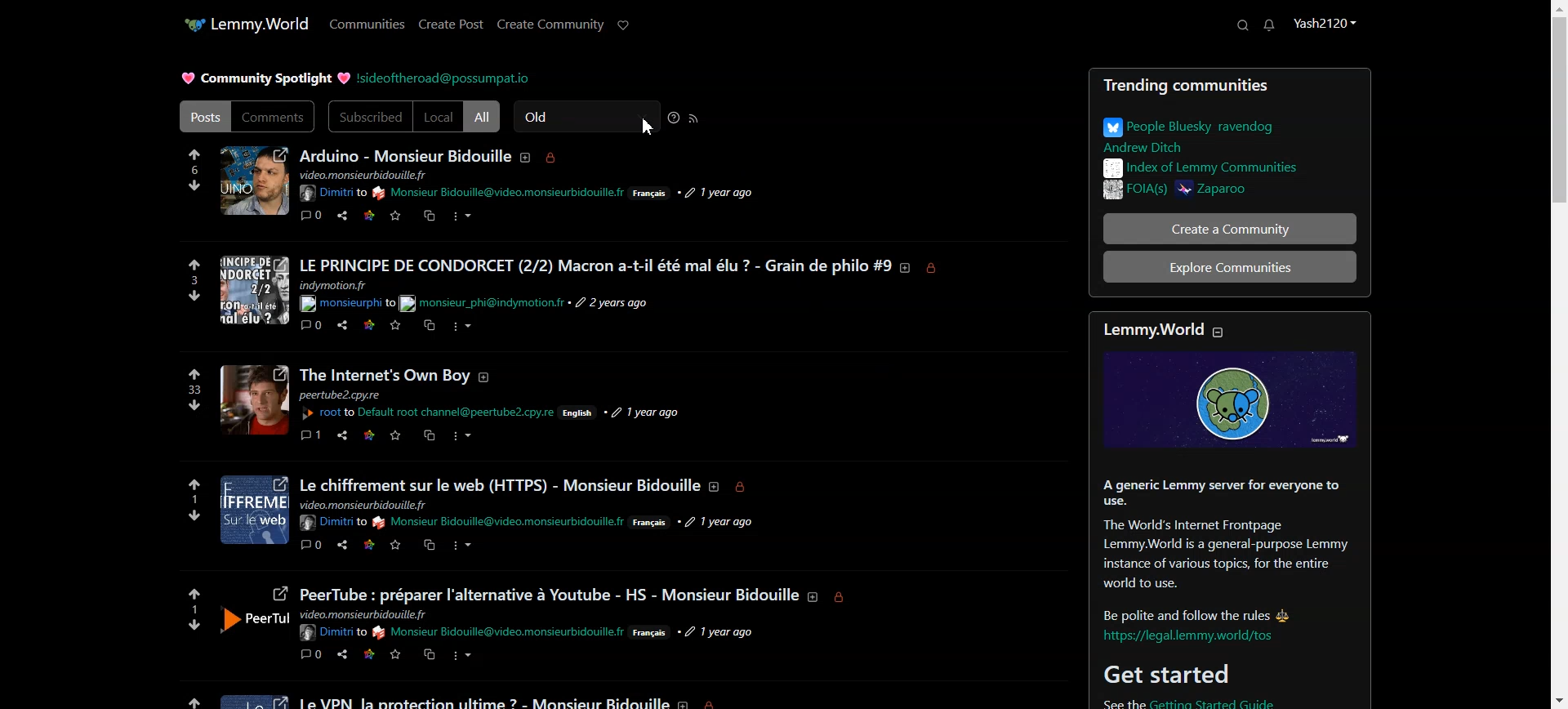 The height and width of the screenshot is (709, 1568). Describe the element at coordinates (497, 194) in the screenshot. I see `text` at that location.